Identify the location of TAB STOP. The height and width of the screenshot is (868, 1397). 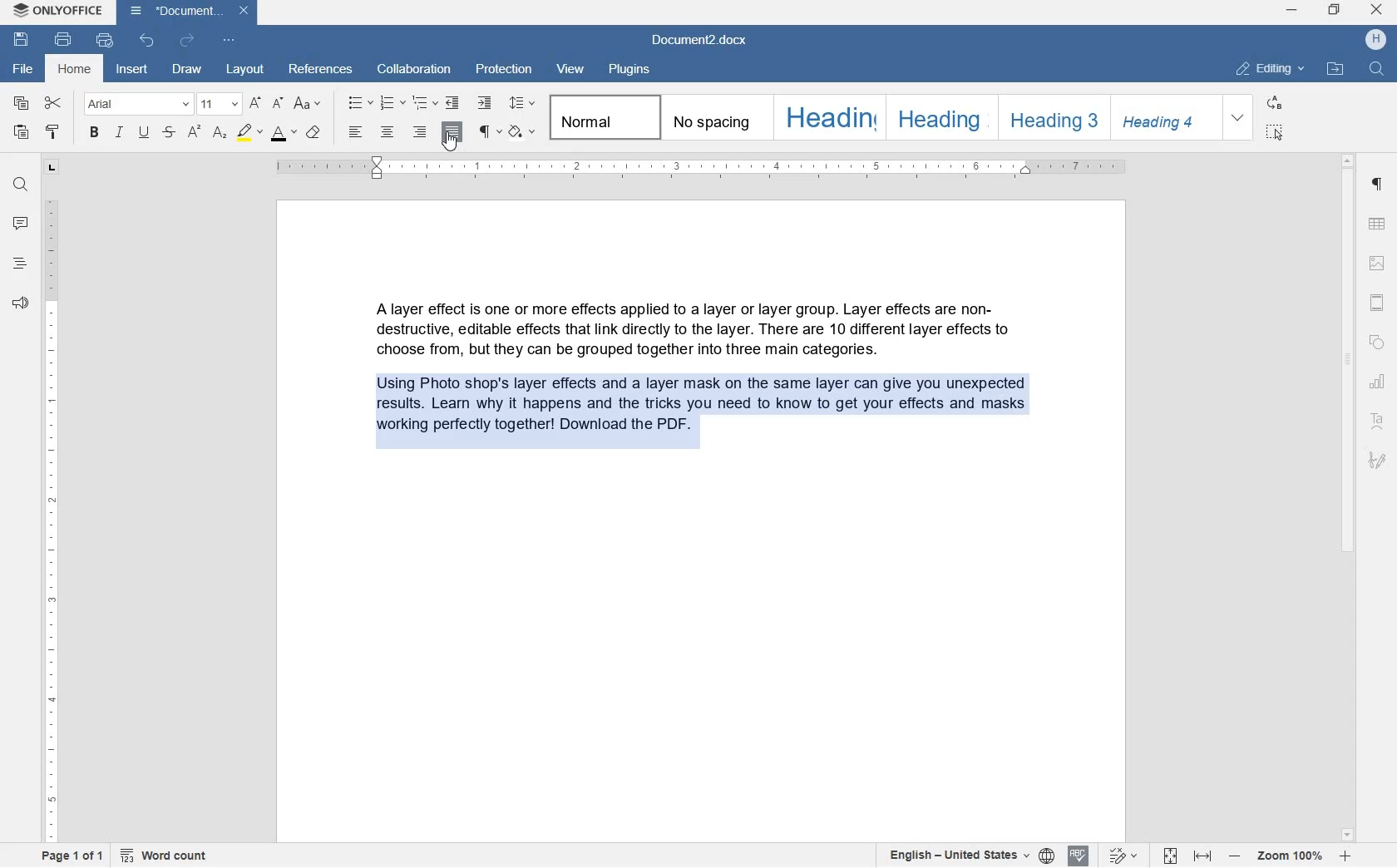
(52, 167).